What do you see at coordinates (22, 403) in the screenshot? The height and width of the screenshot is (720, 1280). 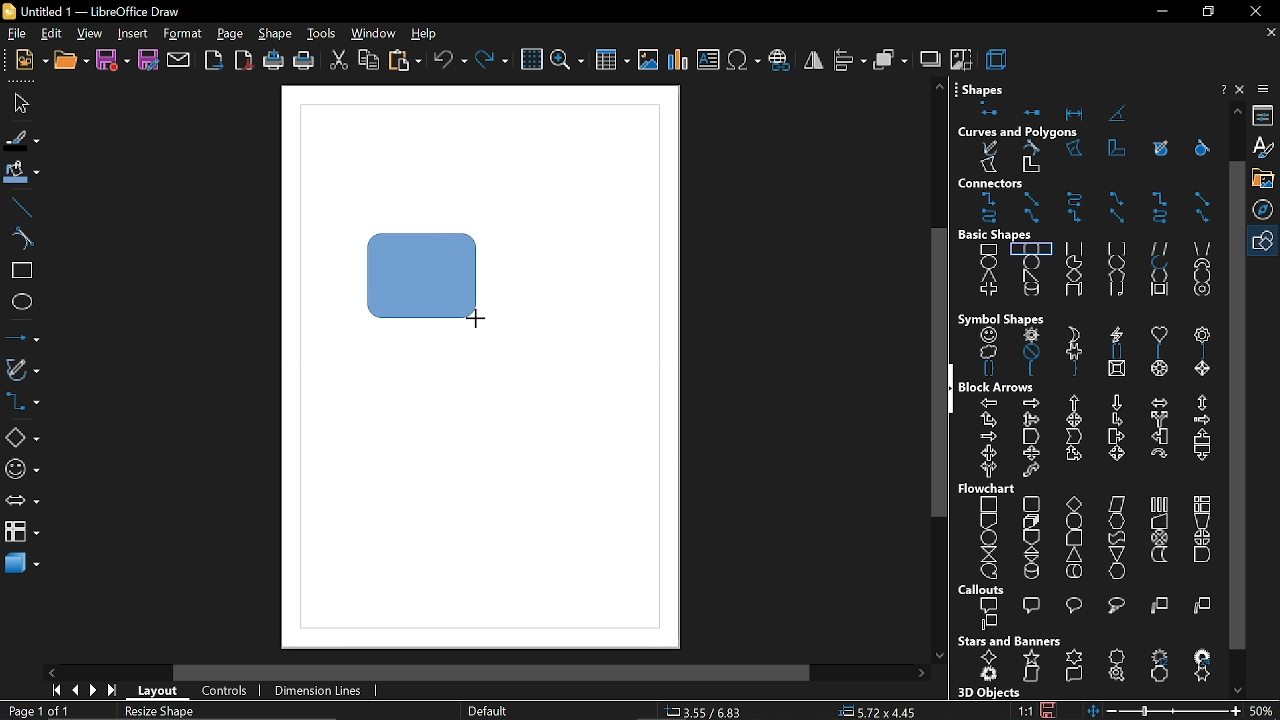 I see `connectors` at bounding box center [22, 403].